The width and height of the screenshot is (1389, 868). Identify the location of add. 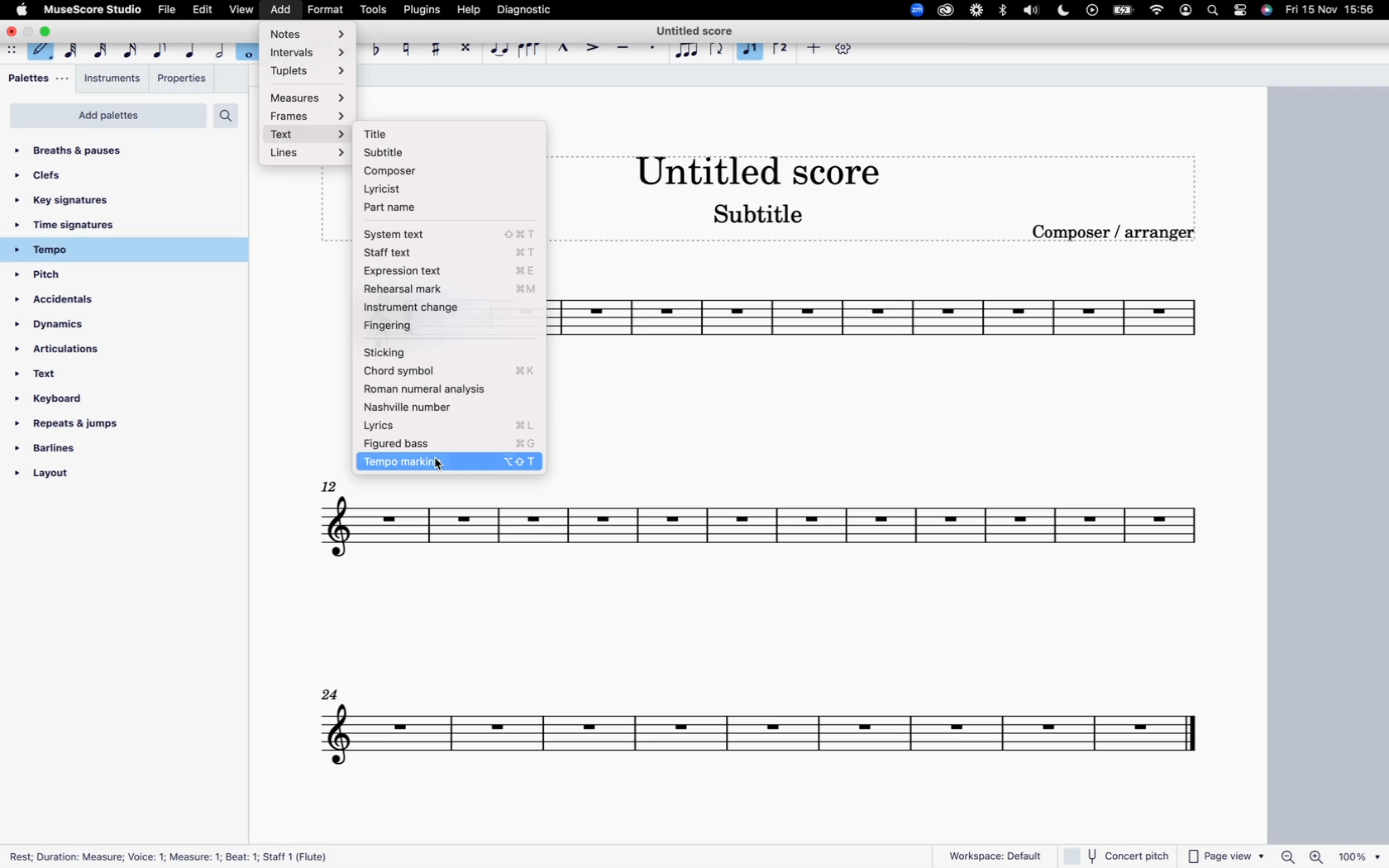
(277, 9).